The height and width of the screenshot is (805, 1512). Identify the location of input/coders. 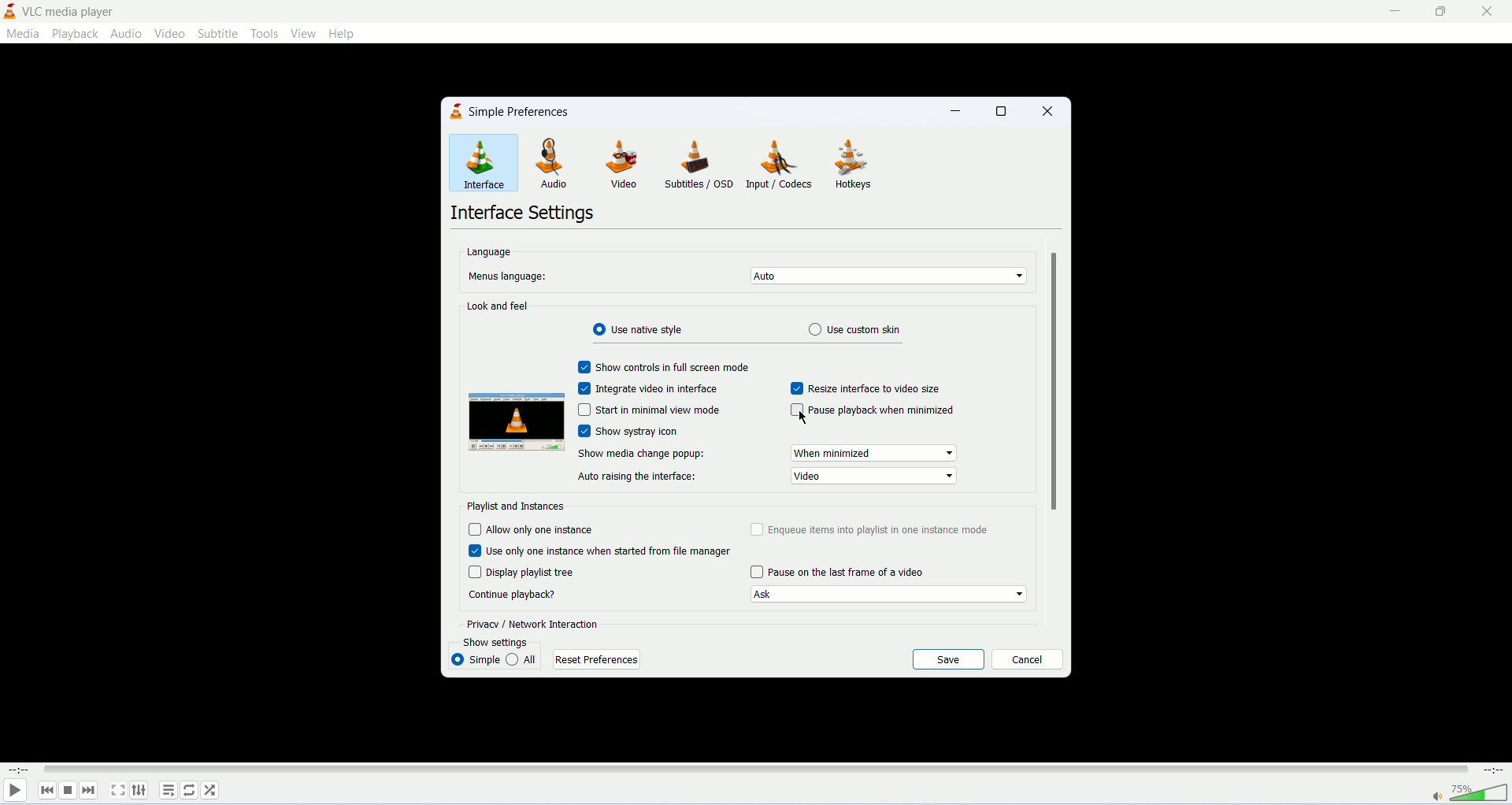
(779, 165).